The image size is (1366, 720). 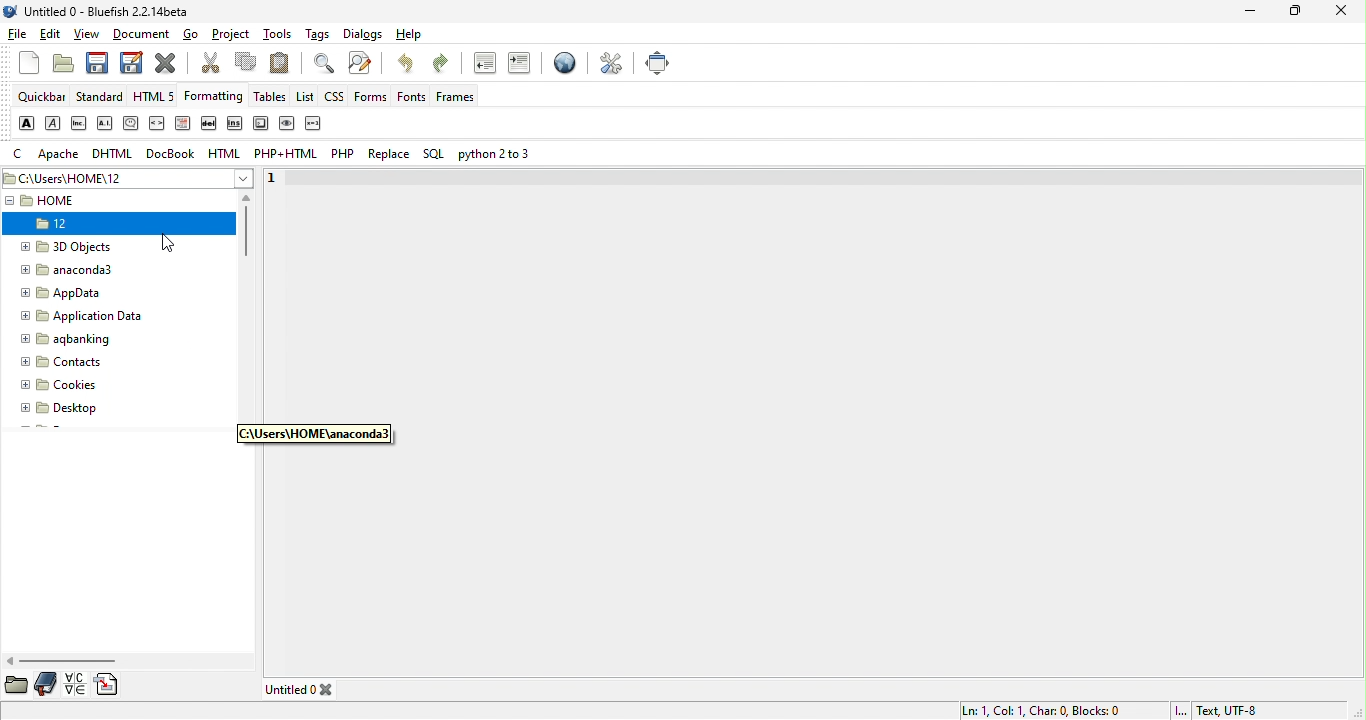 I want to click on code, so click(x=157, y=124).